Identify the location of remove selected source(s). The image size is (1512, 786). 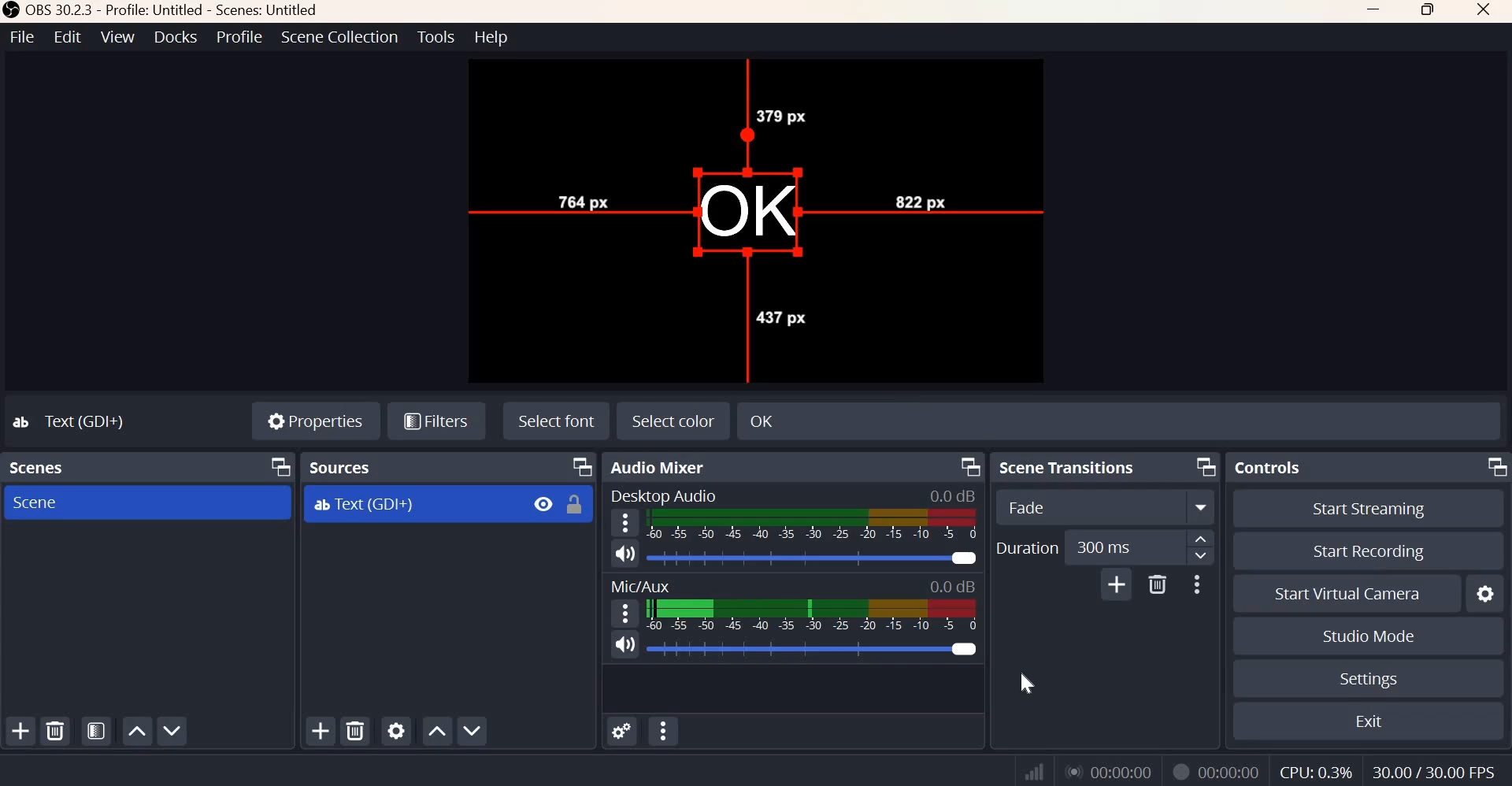
(356, 730).